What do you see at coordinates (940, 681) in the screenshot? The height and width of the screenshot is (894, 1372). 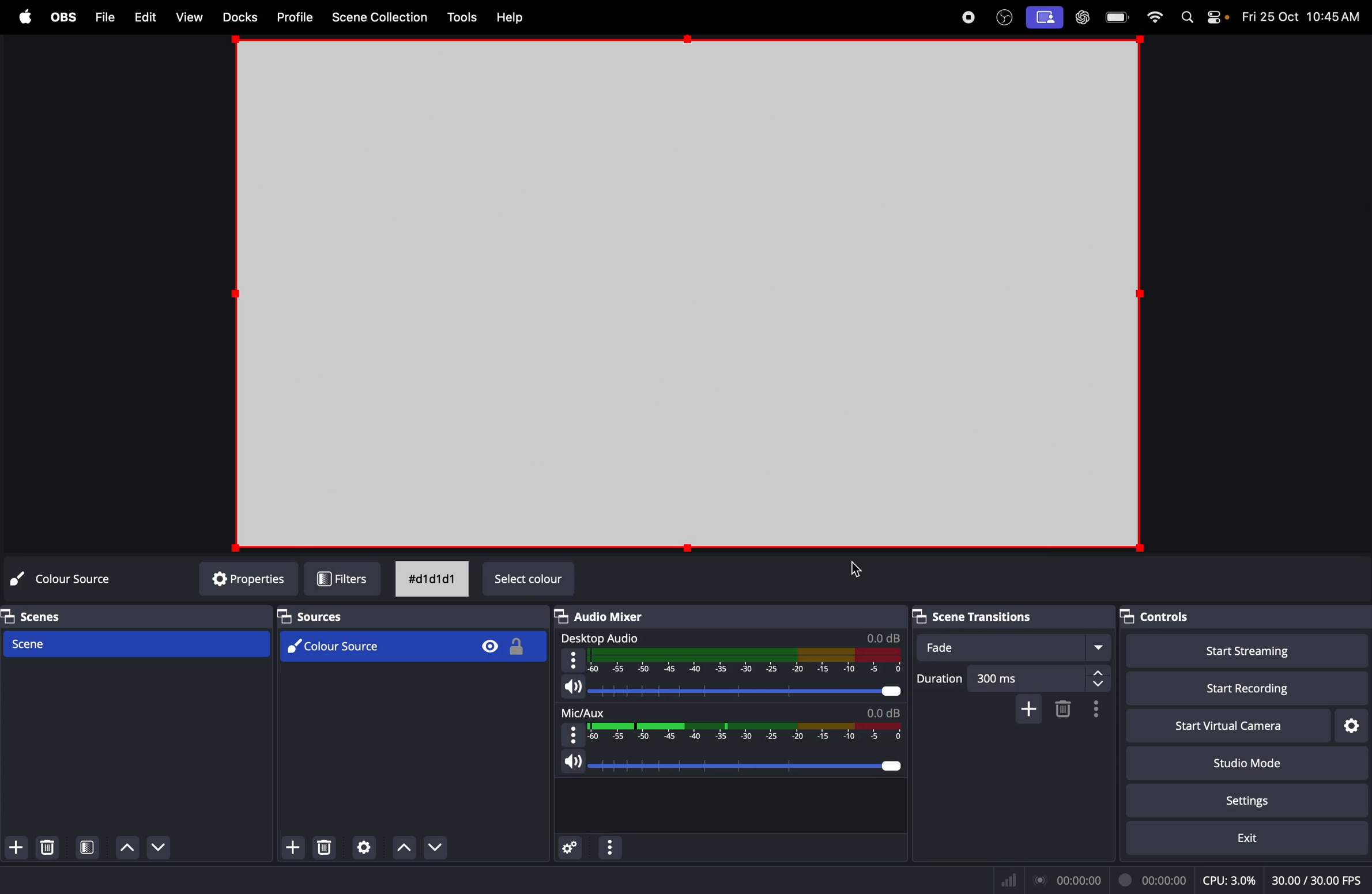 I see `duration` at bounding box center [940, 681].